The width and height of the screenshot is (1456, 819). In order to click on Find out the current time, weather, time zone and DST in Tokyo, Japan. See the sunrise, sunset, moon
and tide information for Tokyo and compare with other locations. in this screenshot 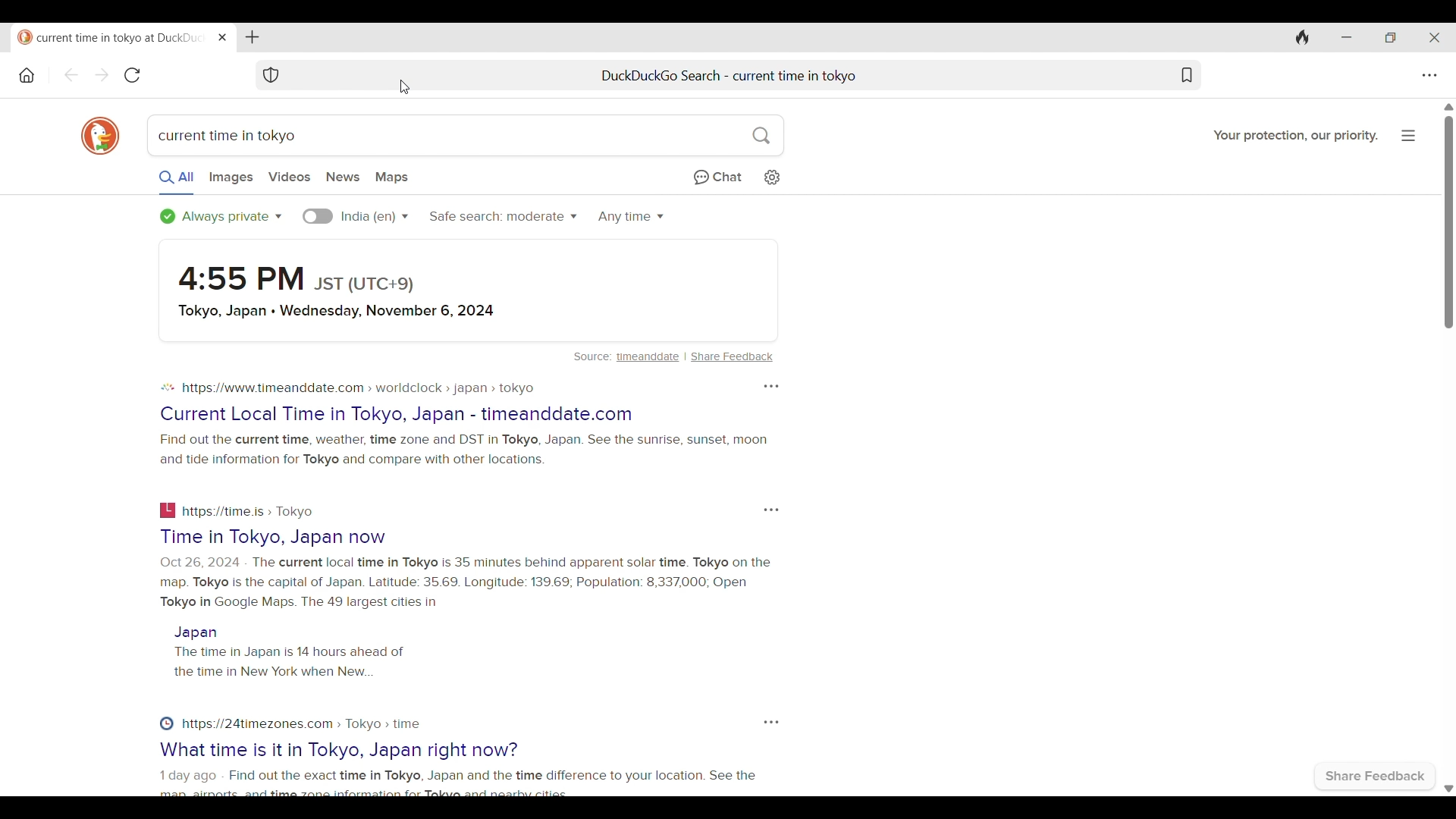, I will do `click(463, 450)`.